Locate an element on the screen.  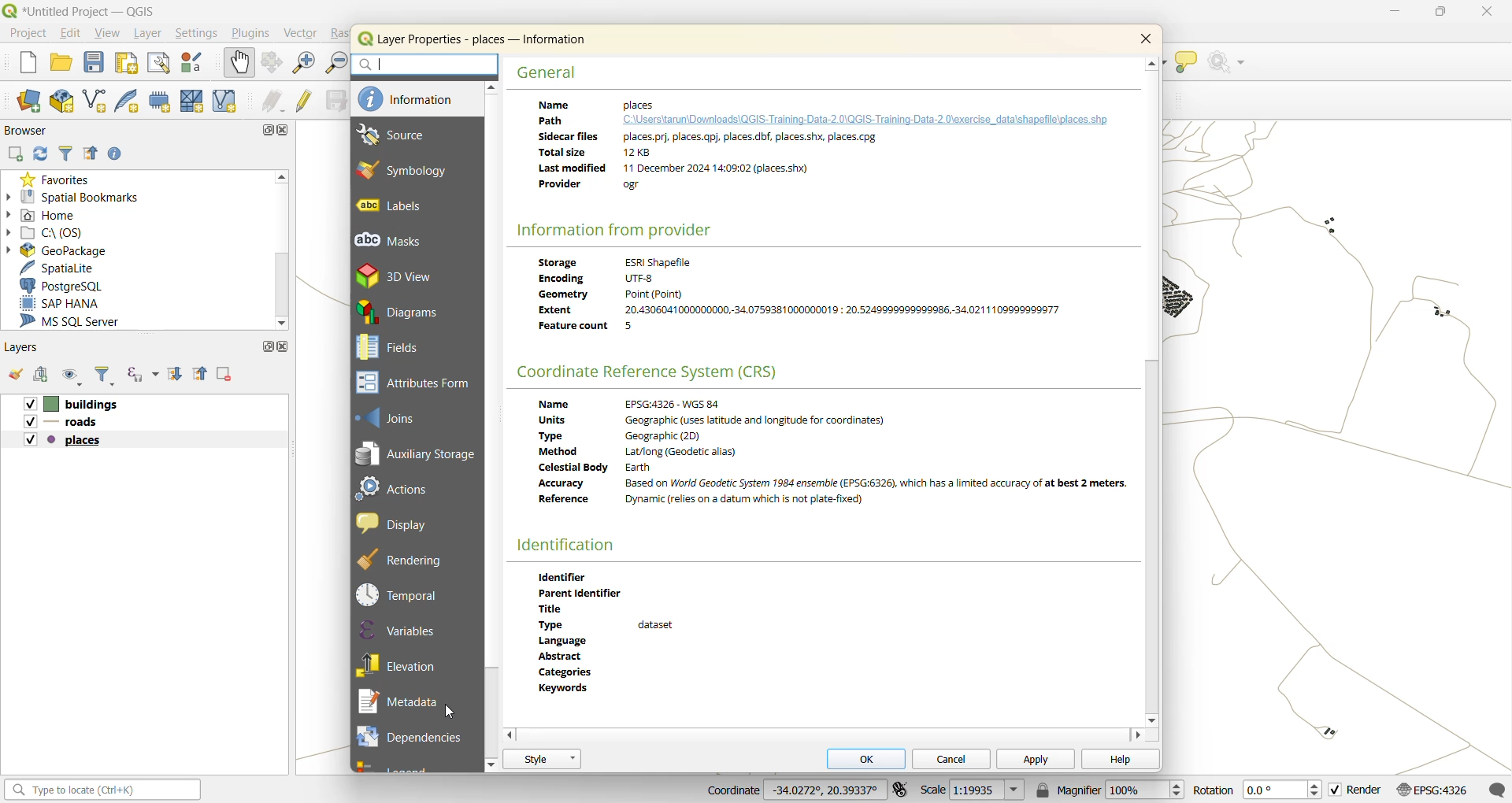
actions is located at coordinates (396, 493).